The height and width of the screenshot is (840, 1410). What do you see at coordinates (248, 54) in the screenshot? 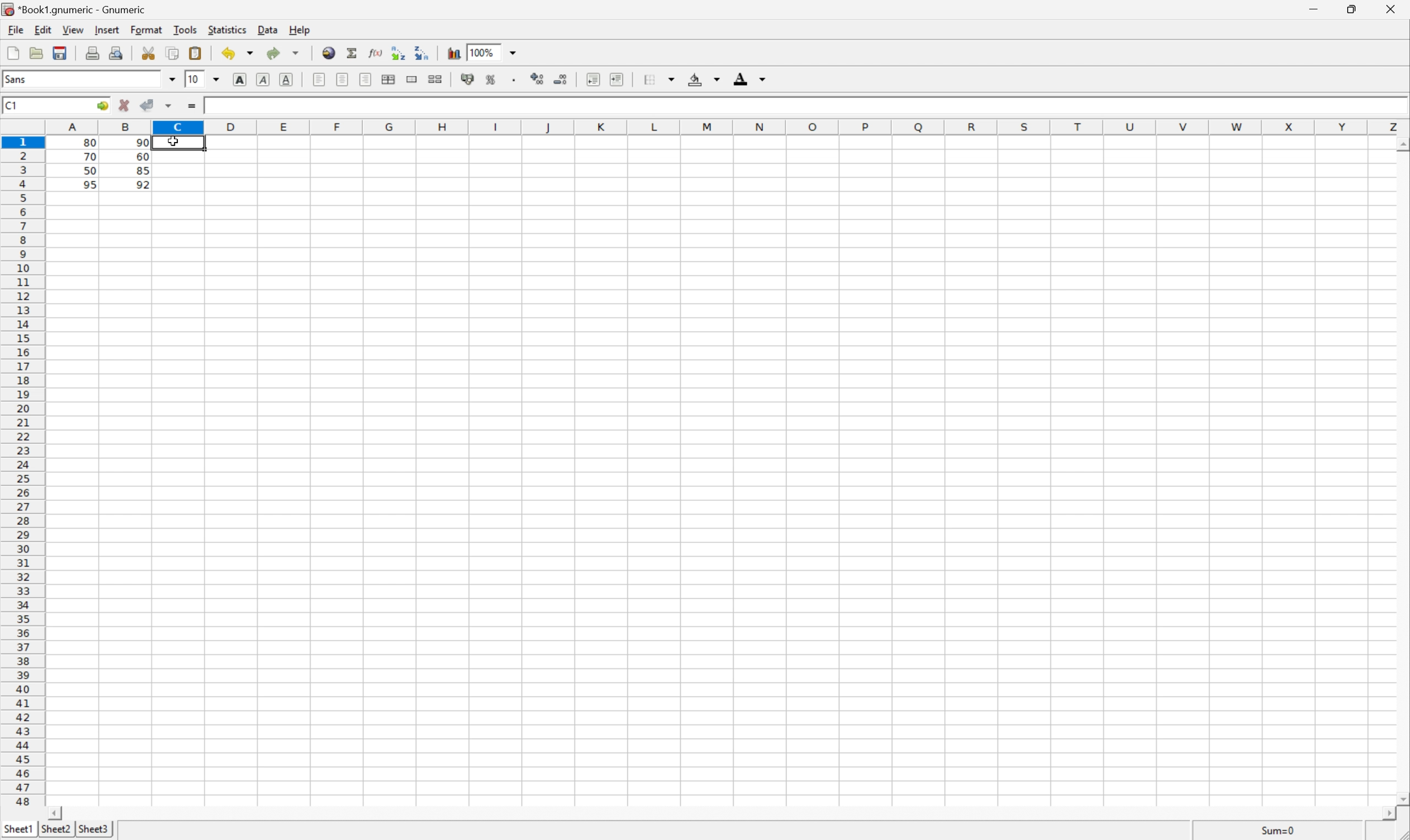
I see `Drop Down` at bounding box center [248, 54].